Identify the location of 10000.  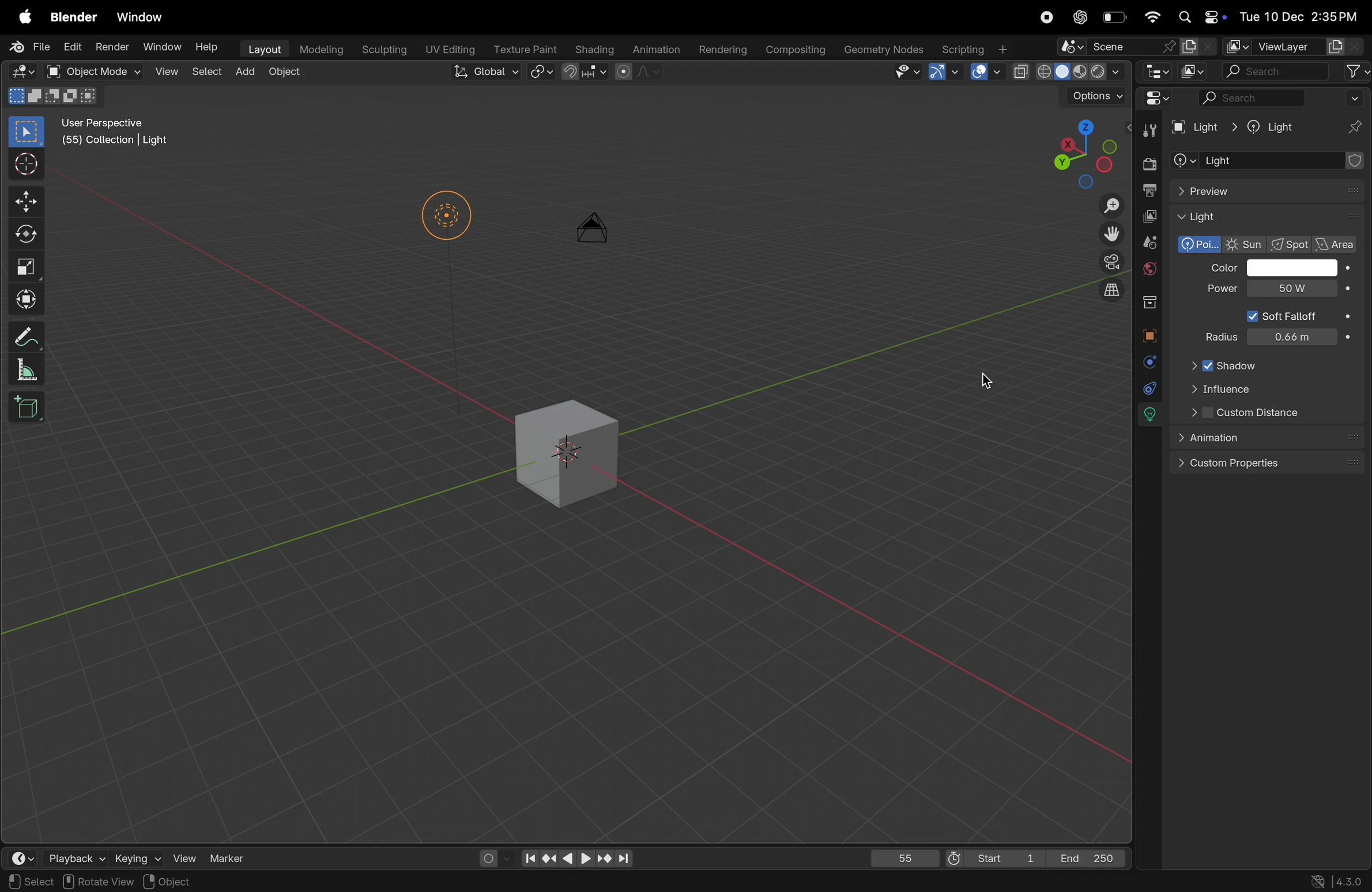
(1299, 290).